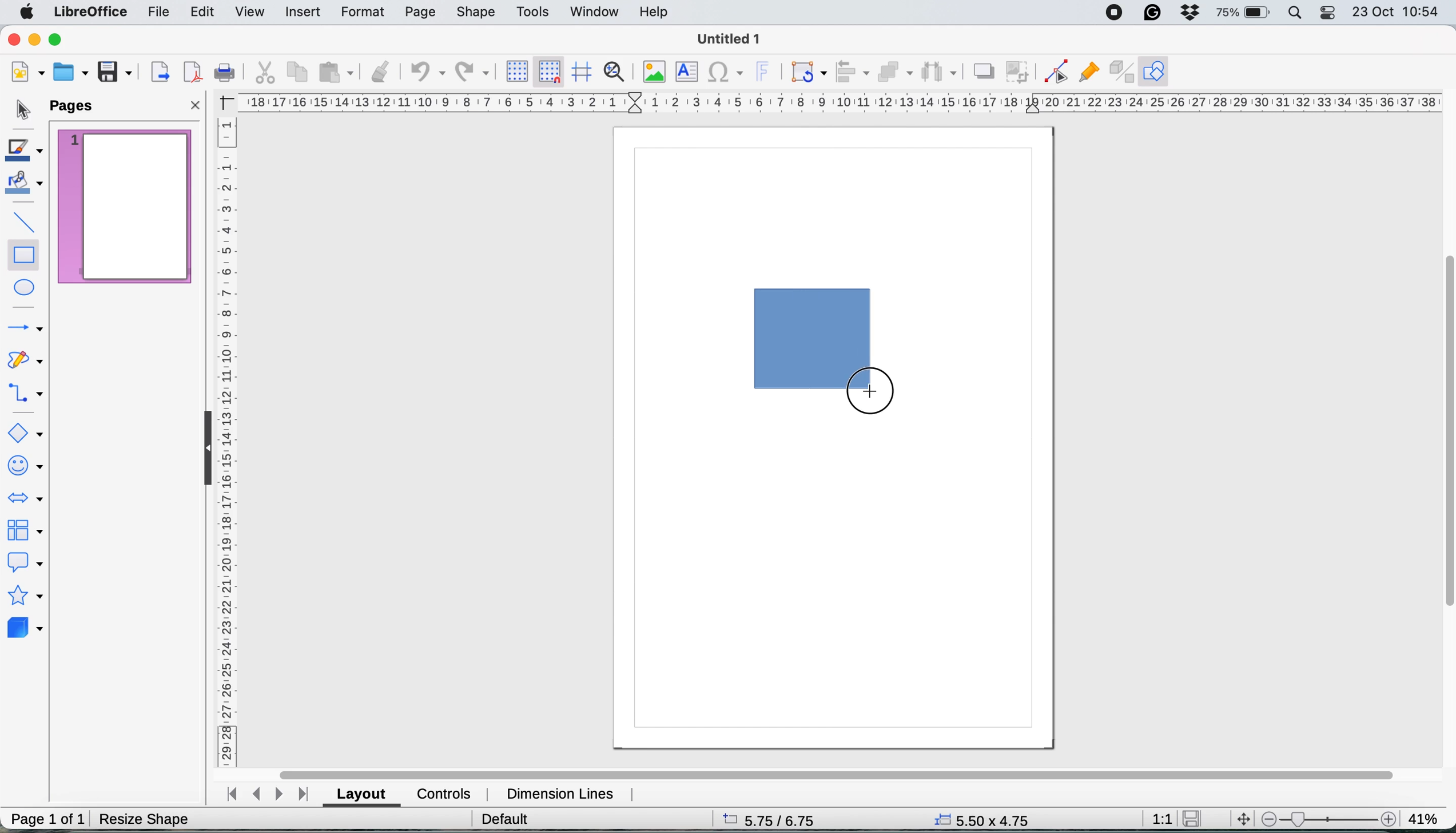 This screenshot has width=1456, height=833. What do you see at coordinates (420, 13) in the screenshot?
I see `page` at bounding box center [420, 13].